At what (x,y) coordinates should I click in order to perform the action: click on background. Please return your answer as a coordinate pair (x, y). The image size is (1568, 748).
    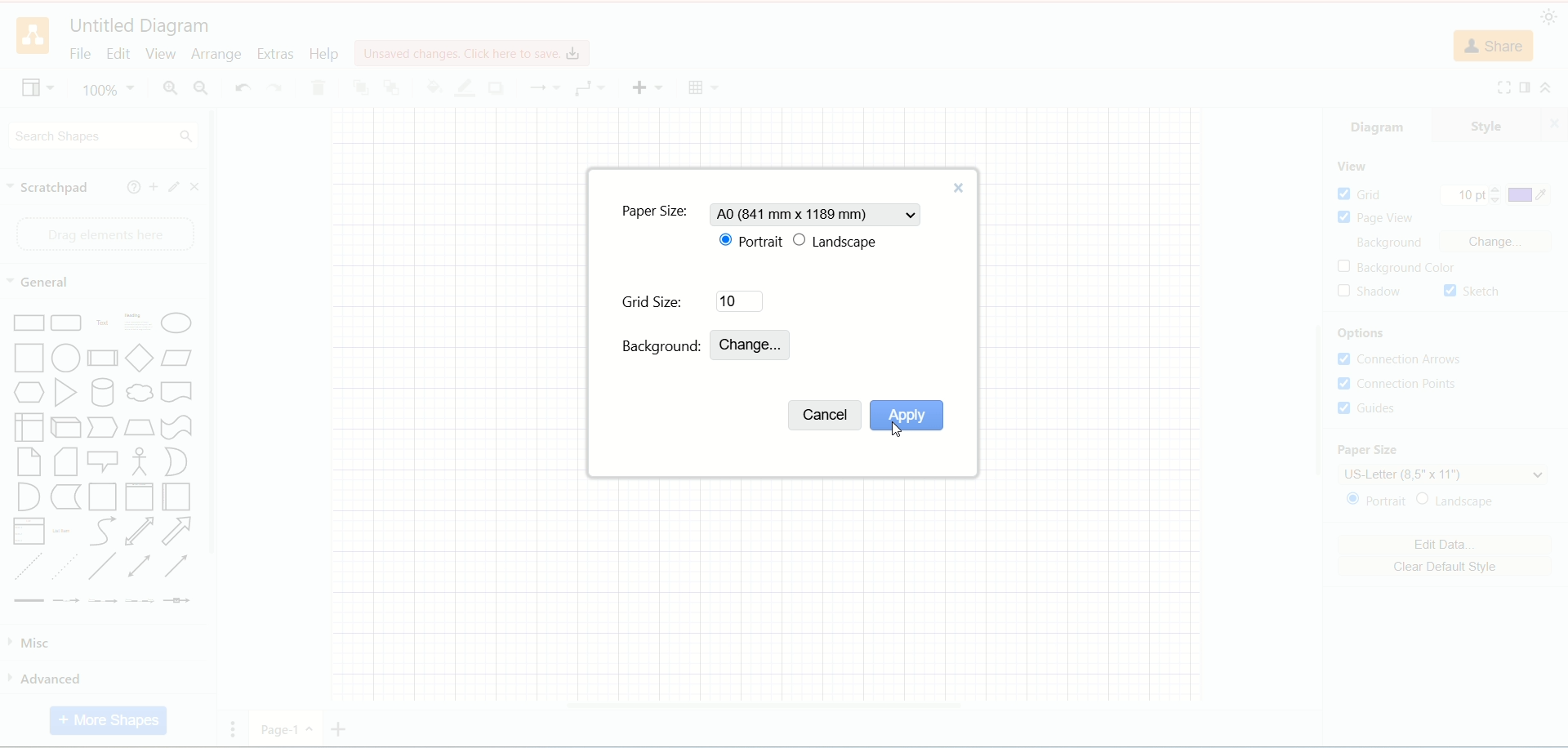
    Looking at the image, I should click on (662, 346).